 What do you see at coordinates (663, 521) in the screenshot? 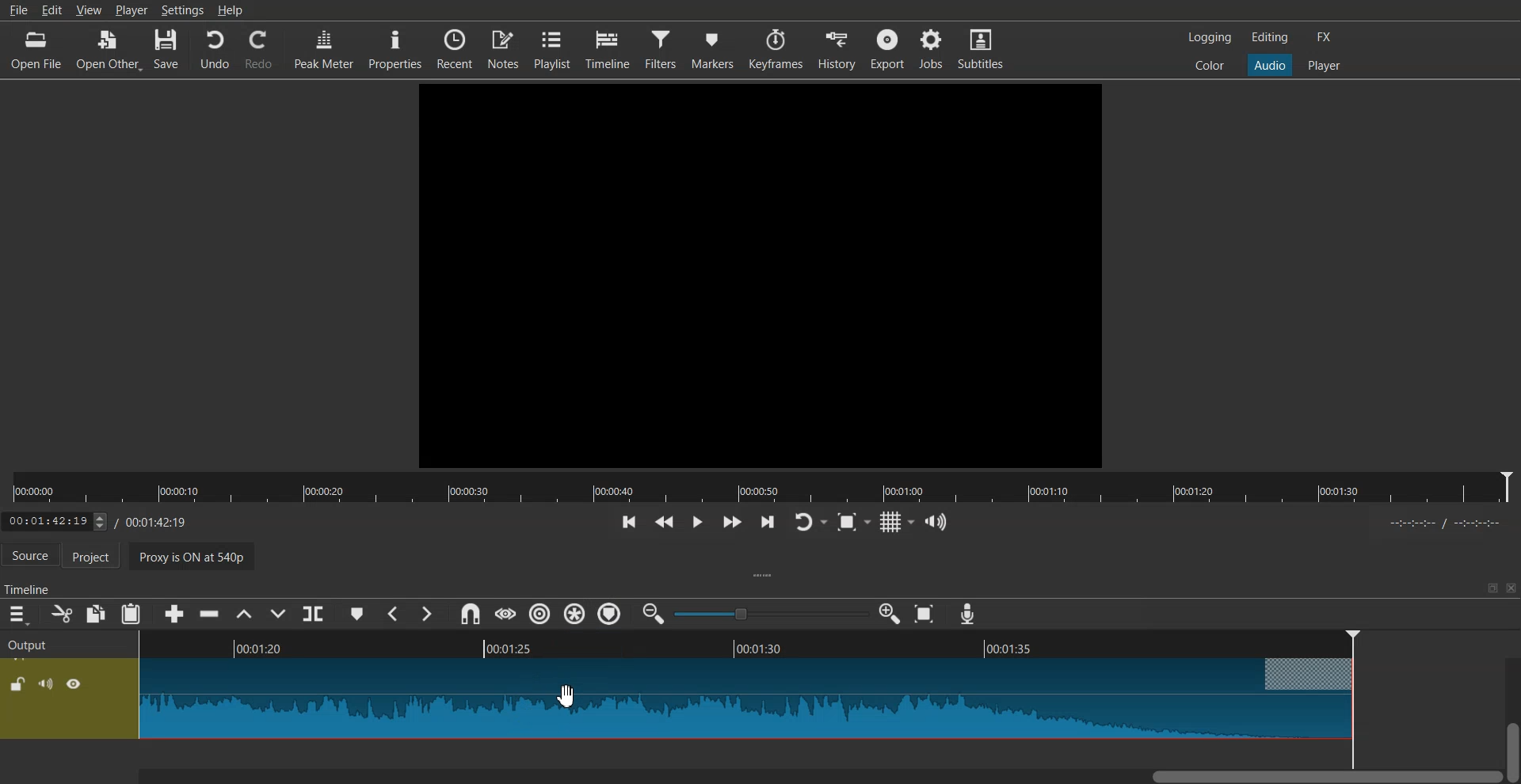
I see `Play quickly backwards` at bounding box center [663, 521].